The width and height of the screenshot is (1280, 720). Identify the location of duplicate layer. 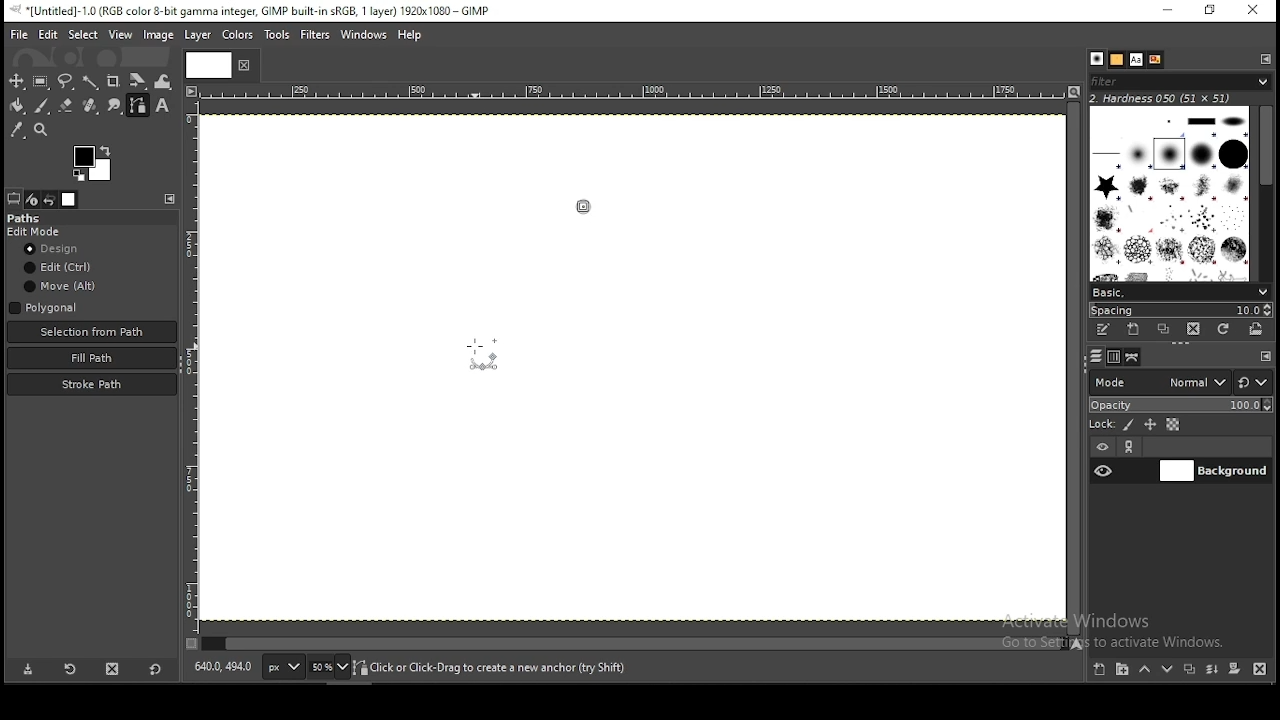
(1191, 670).